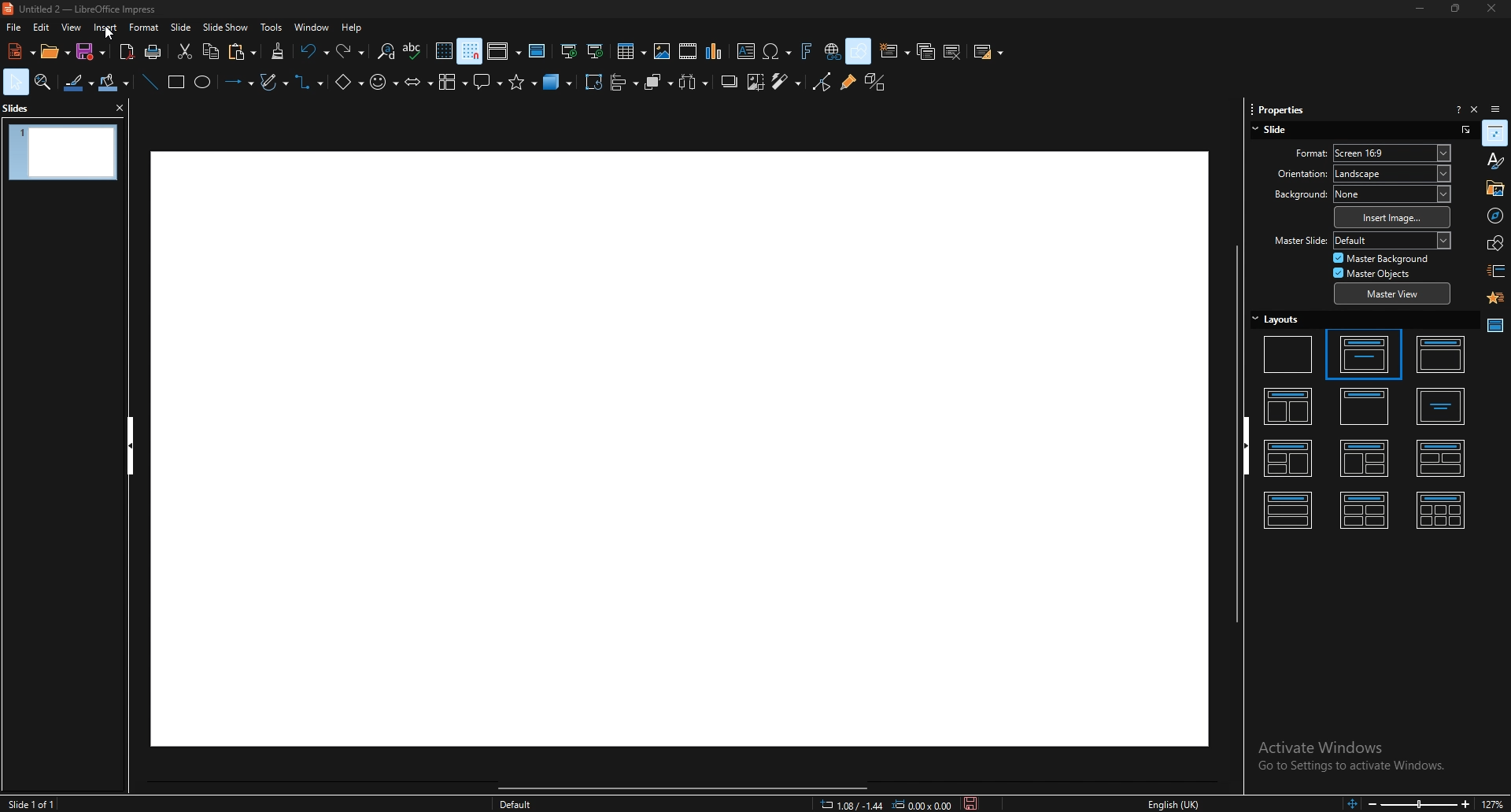 The image size is (1511, 812). What do you see at coordinates (414, 51) in the screenshot?
I see `spell check` at bounding box center [414, 51].